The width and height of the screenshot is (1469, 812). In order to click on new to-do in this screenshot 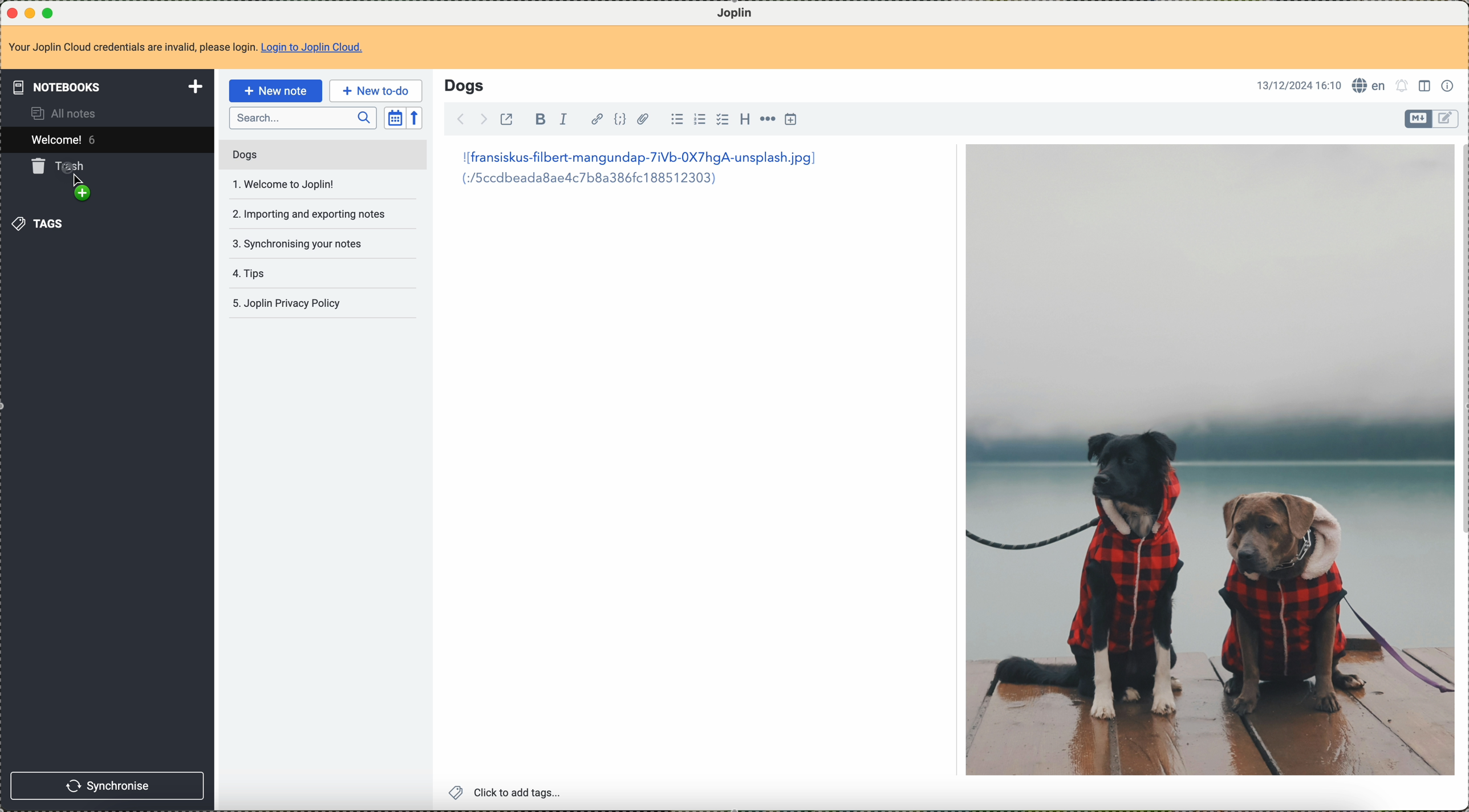, I will do `click(375, 91)`.